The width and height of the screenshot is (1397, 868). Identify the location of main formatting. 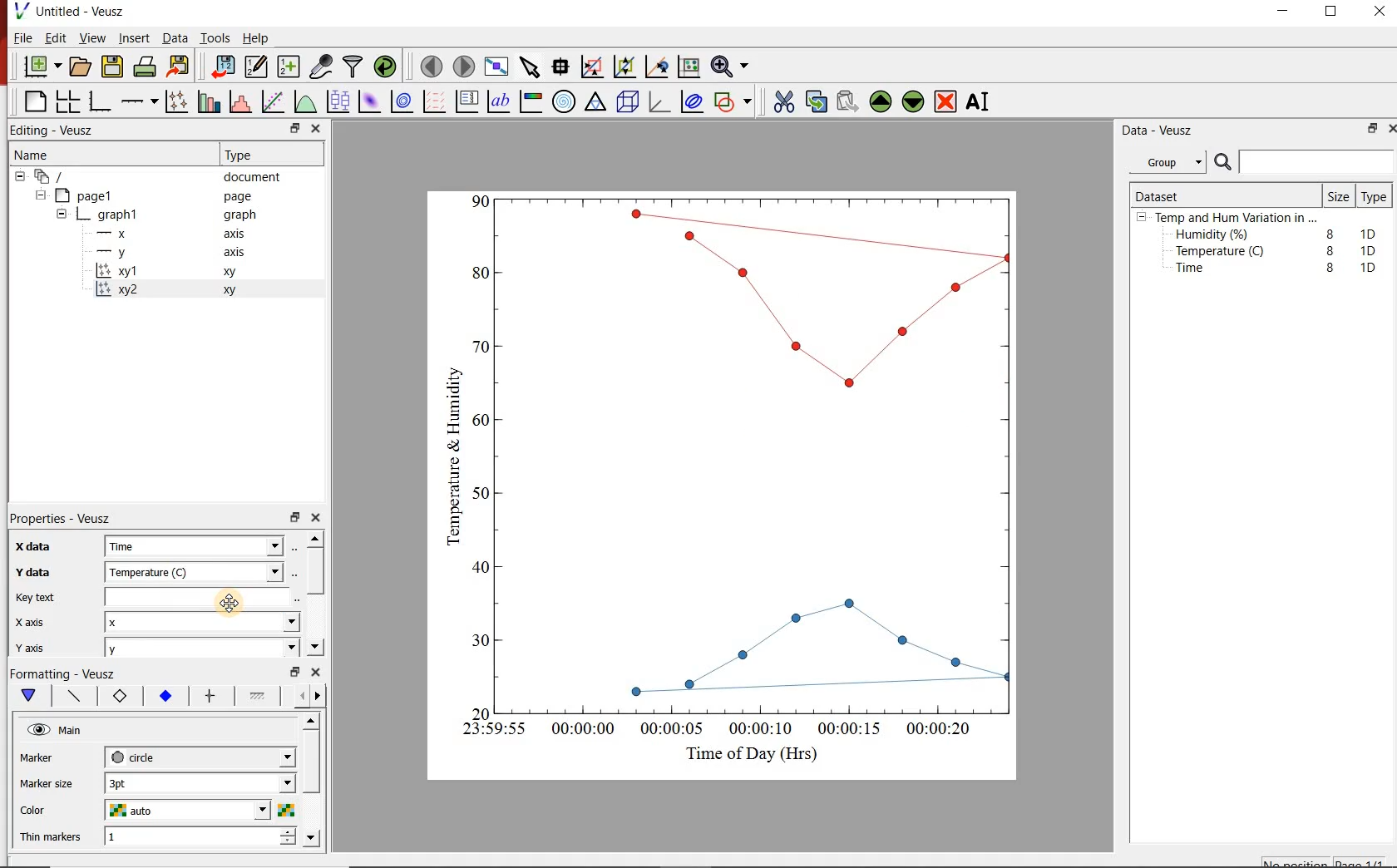
(30, 697).